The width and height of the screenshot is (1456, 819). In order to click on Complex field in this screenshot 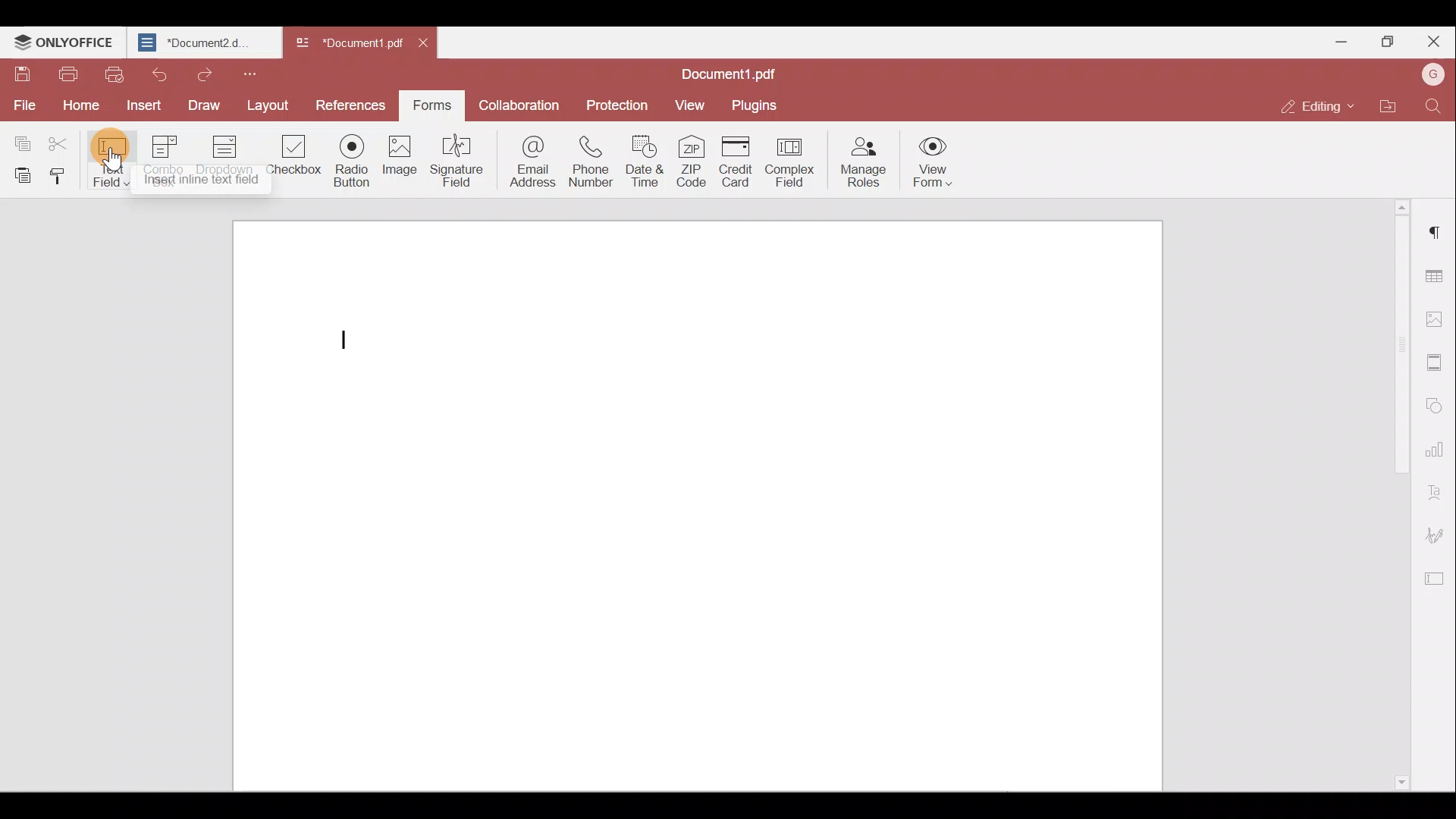, I will do `click(795, 161)`.